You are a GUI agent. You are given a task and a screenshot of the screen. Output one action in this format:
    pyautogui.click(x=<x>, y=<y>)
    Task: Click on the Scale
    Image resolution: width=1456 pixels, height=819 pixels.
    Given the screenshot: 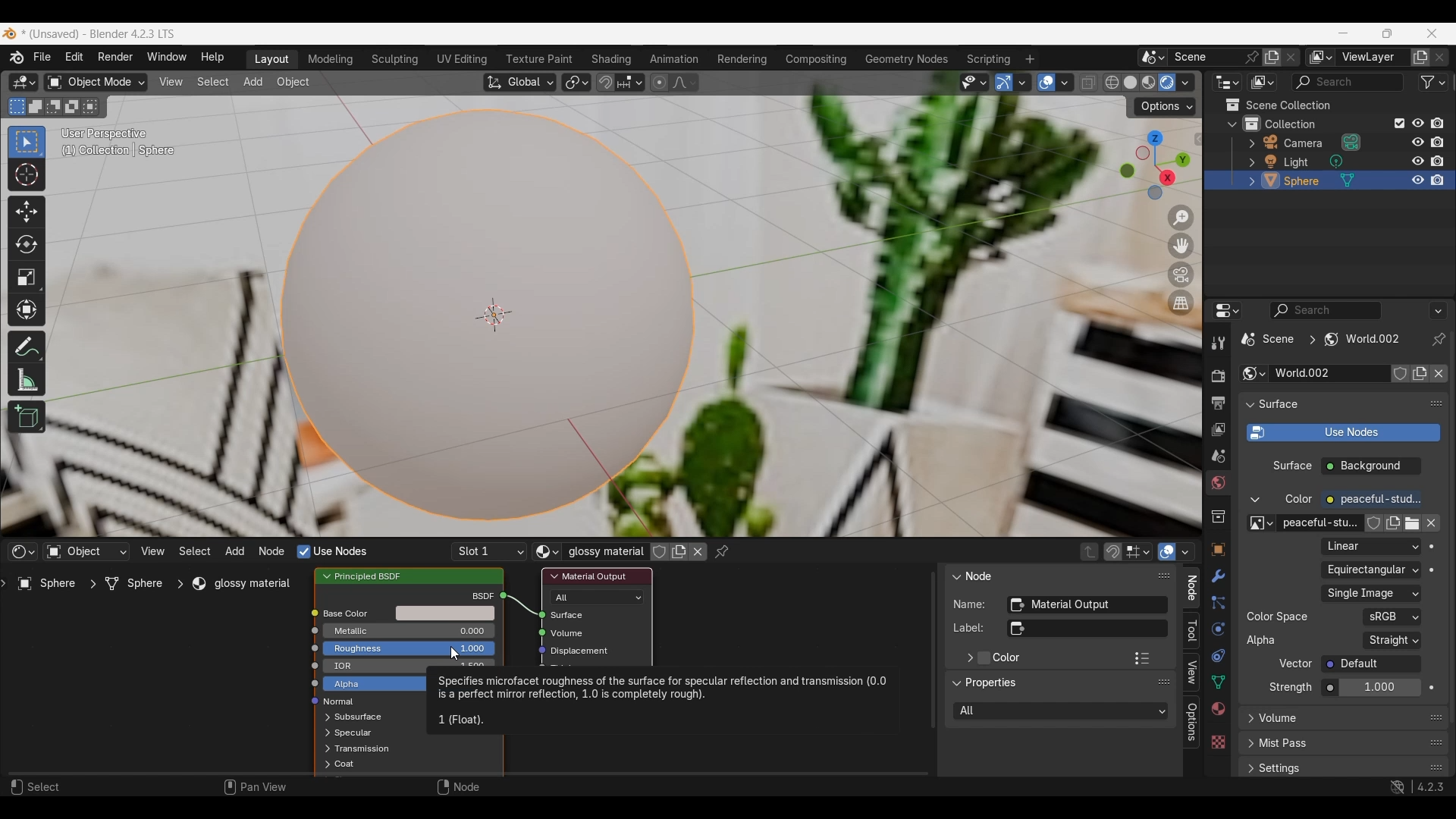 What is the action you would take?
    pyautogui.click(x=27, y=278)
    